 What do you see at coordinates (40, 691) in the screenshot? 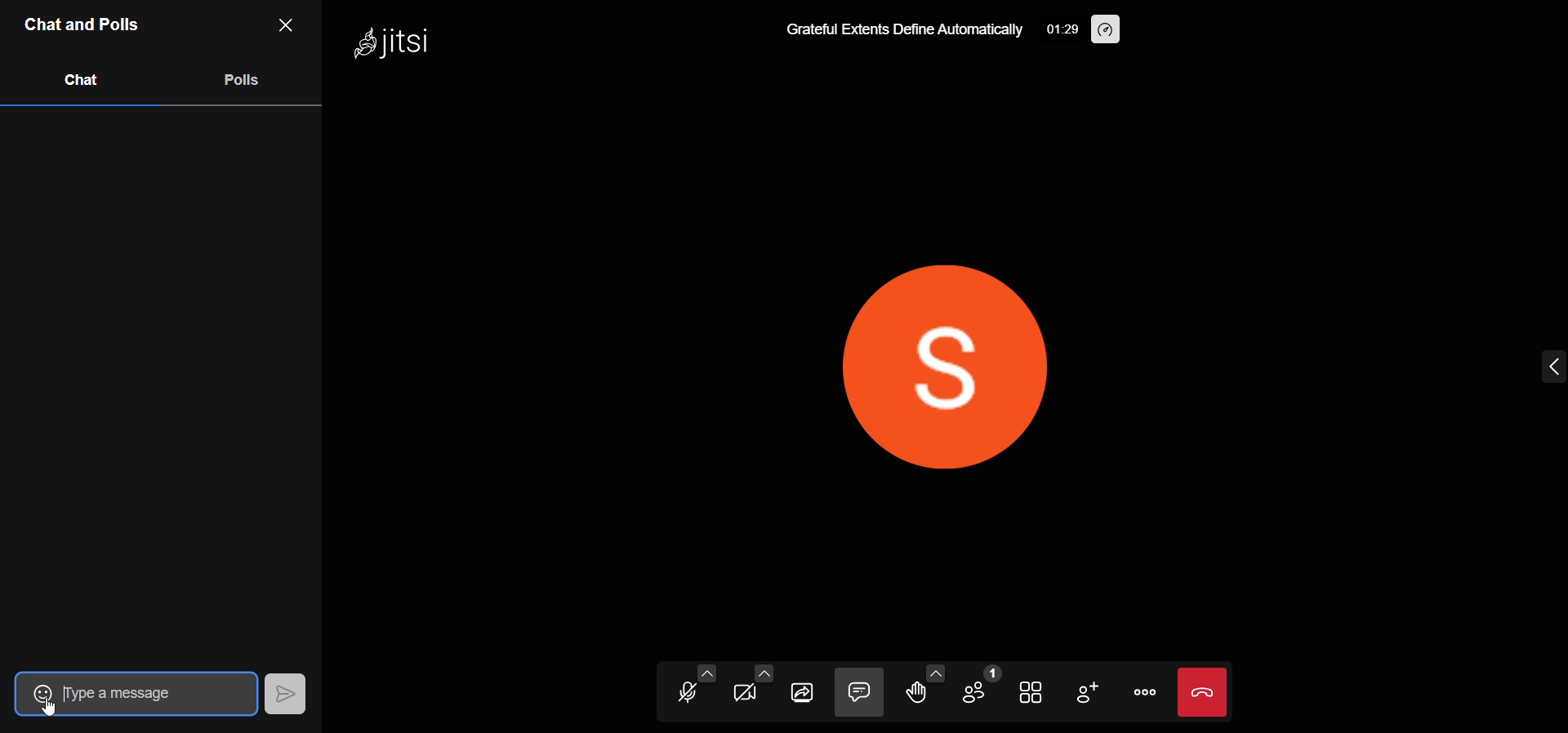
I see `emoji` at bounding box center [40, 691].